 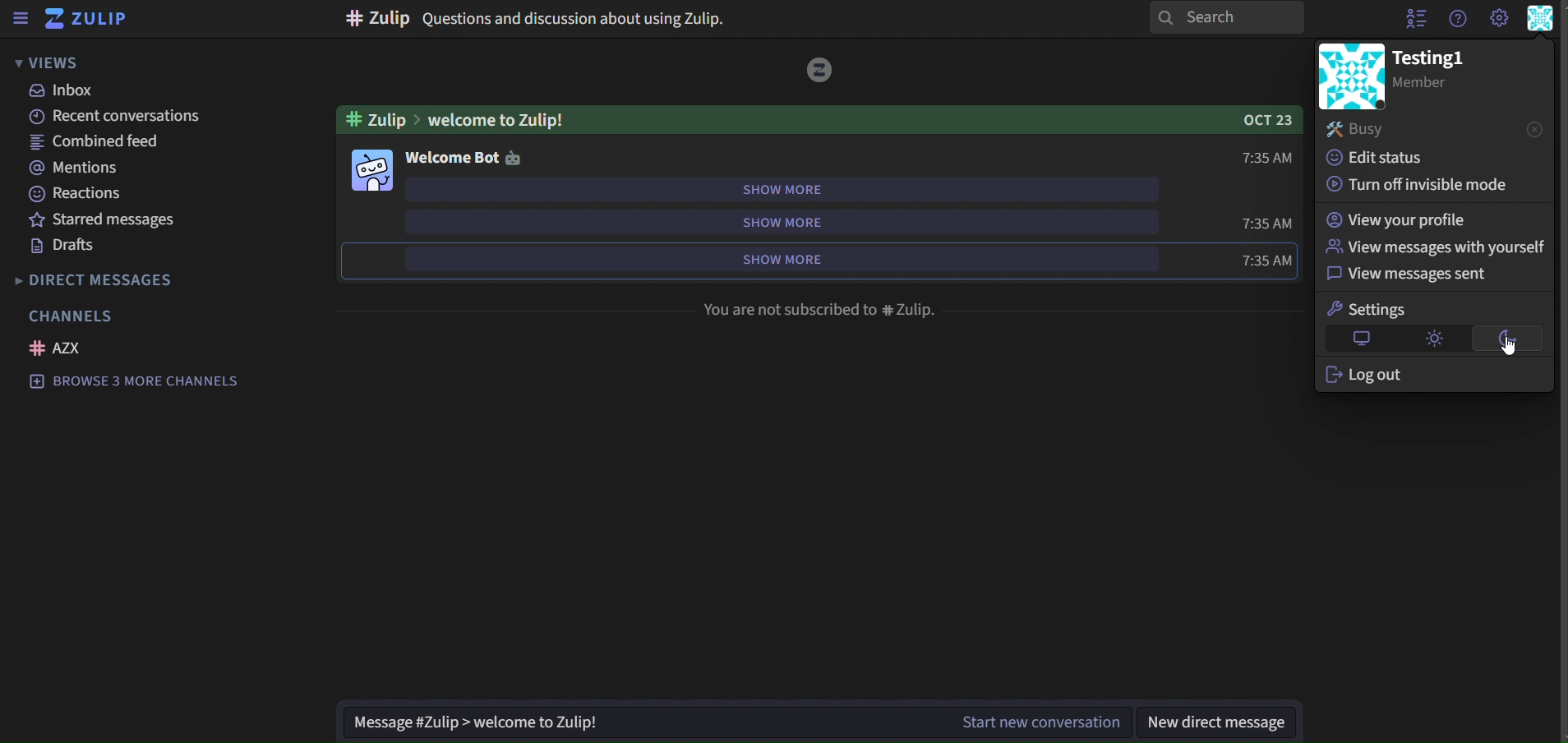 I want to click on User Detail, so click(x=1542, y=18).